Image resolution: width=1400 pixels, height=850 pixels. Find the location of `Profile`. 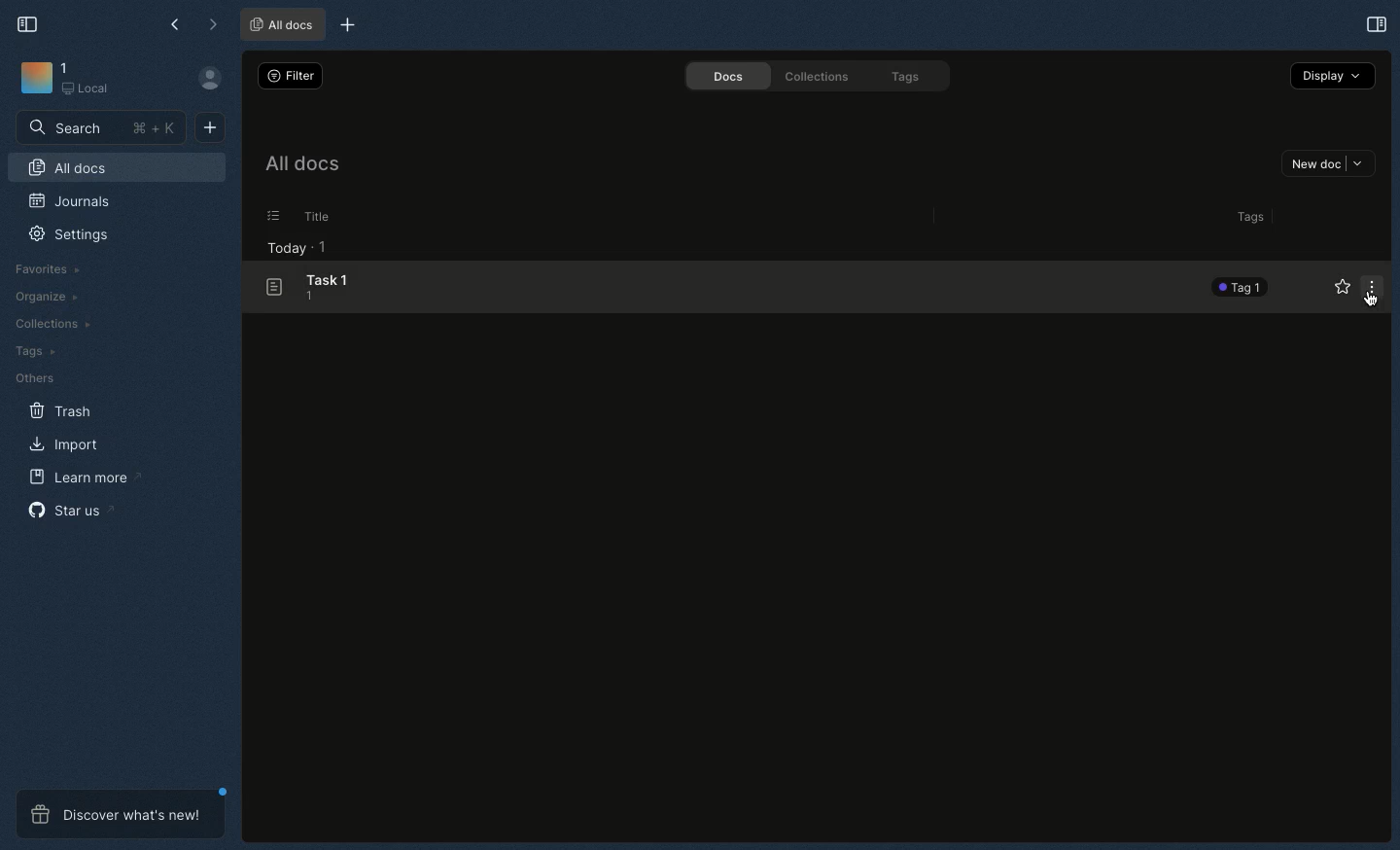

Profile is located at coordinates (203, 78).